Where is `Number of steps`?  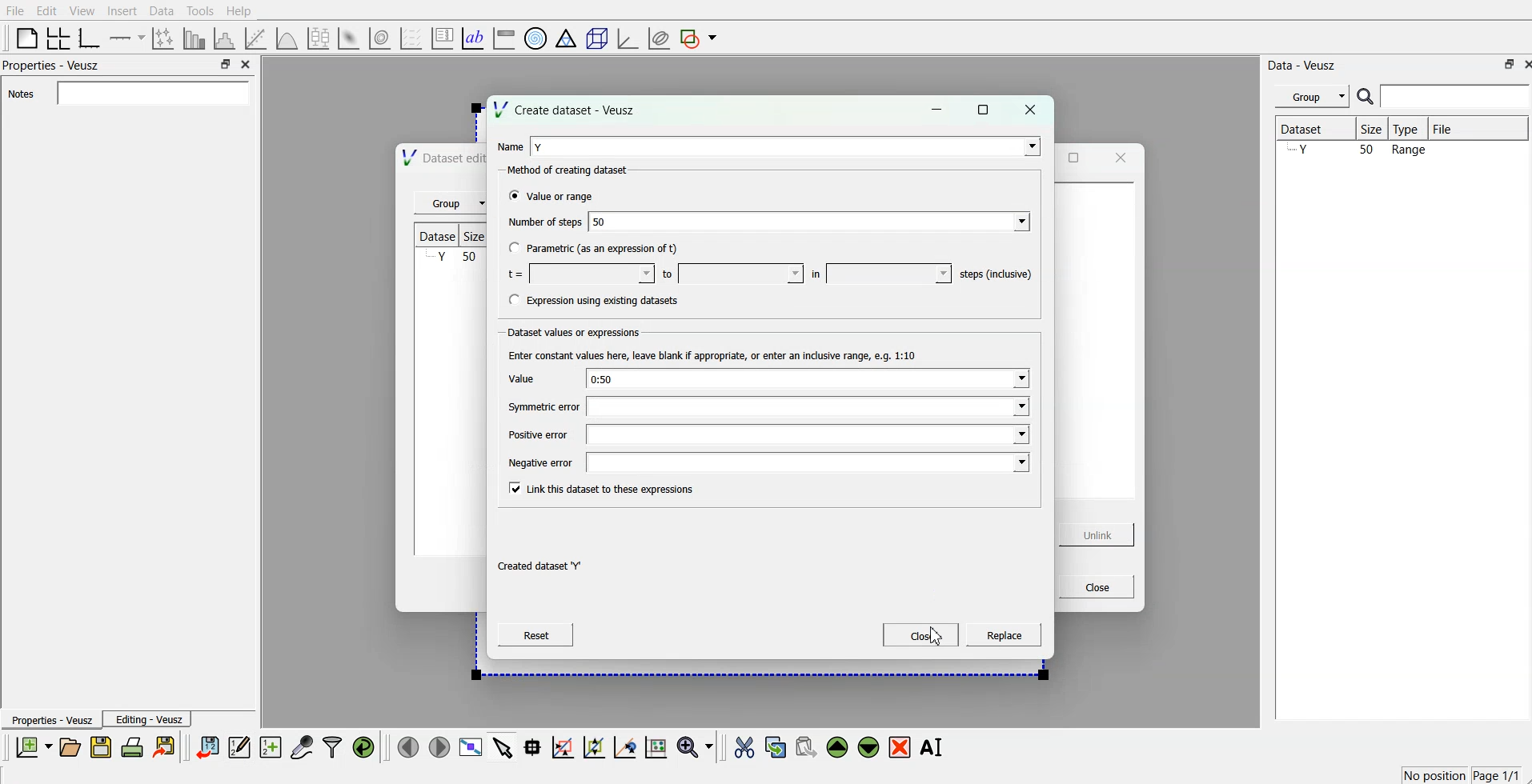
Number of steps is located at coordinates (543, 223).